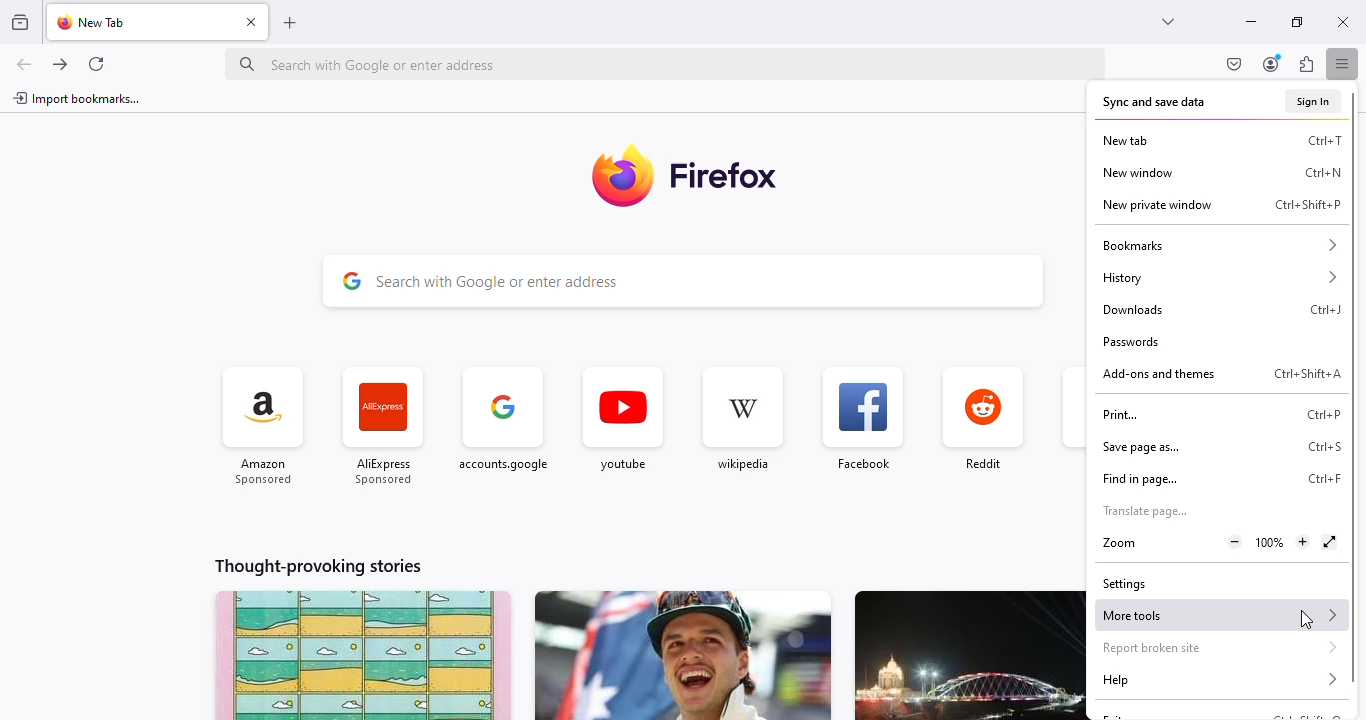 The width and height of the screenshot is (1366, 720). I want to click on sync and save data, so click(1154, 102).